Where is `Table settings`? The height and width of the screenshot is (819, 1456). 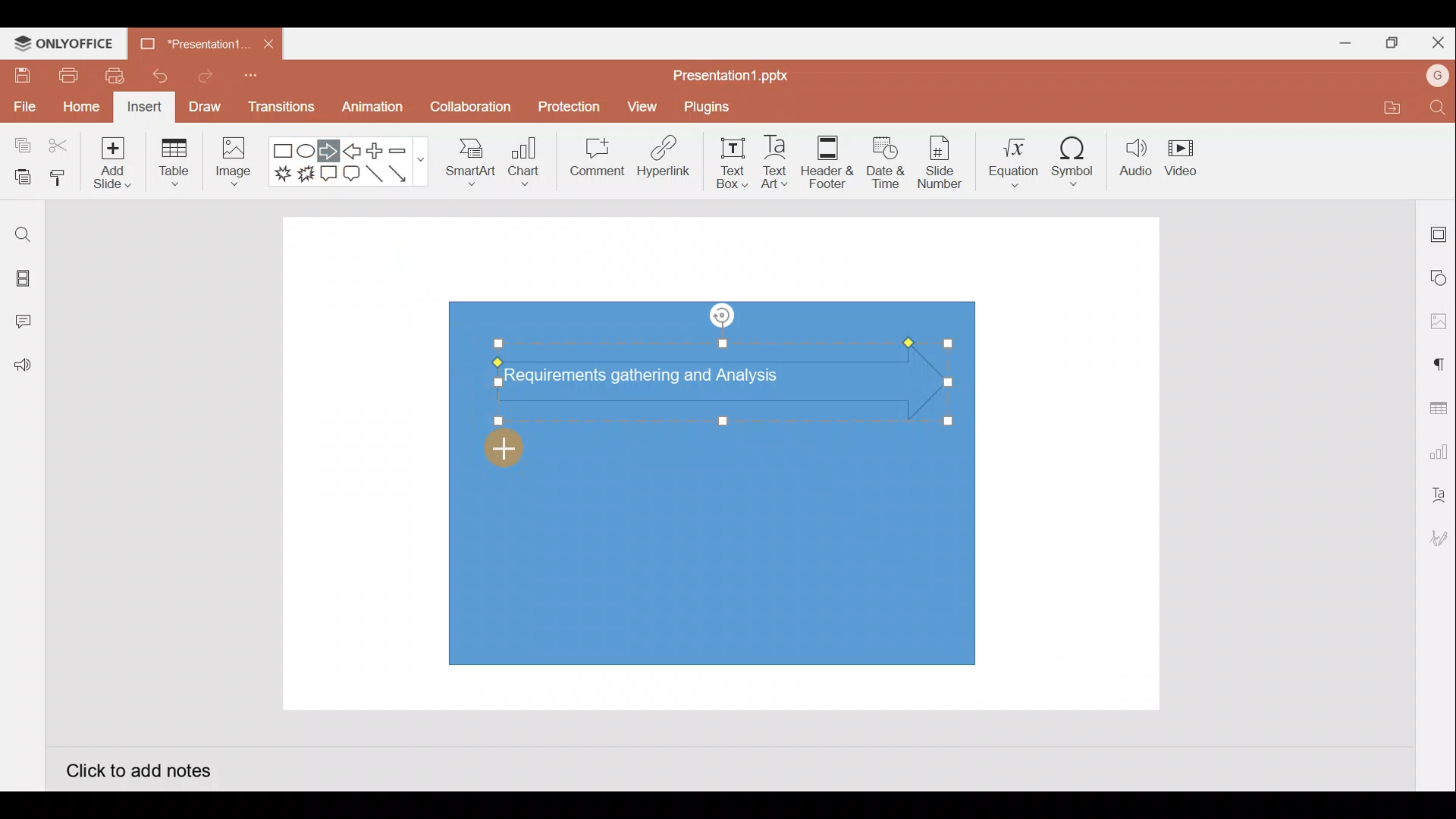
Table settings is located at coordinates (1435, 406).